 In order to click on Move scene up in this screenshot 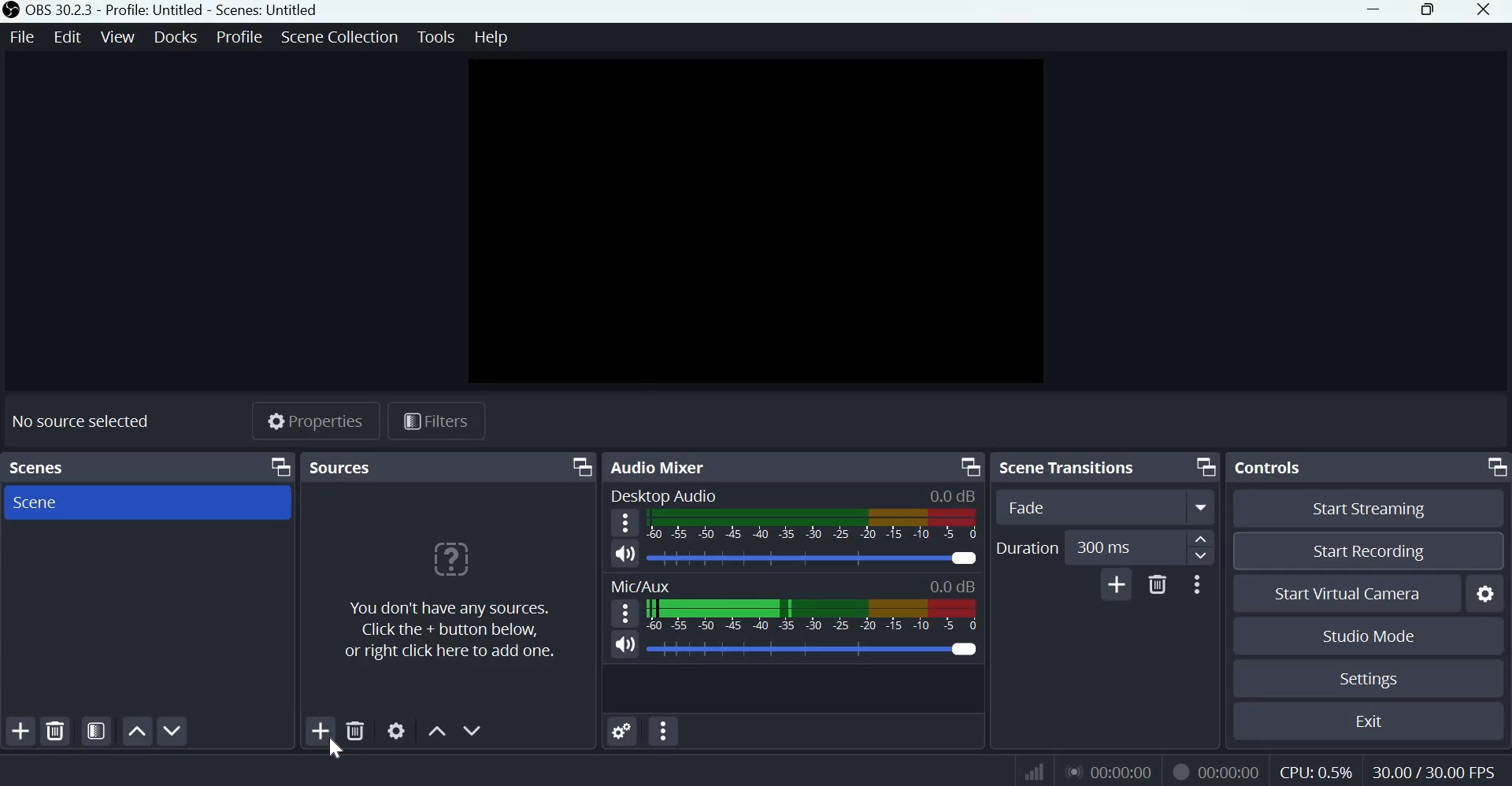, I will do `click(138, 731)`.